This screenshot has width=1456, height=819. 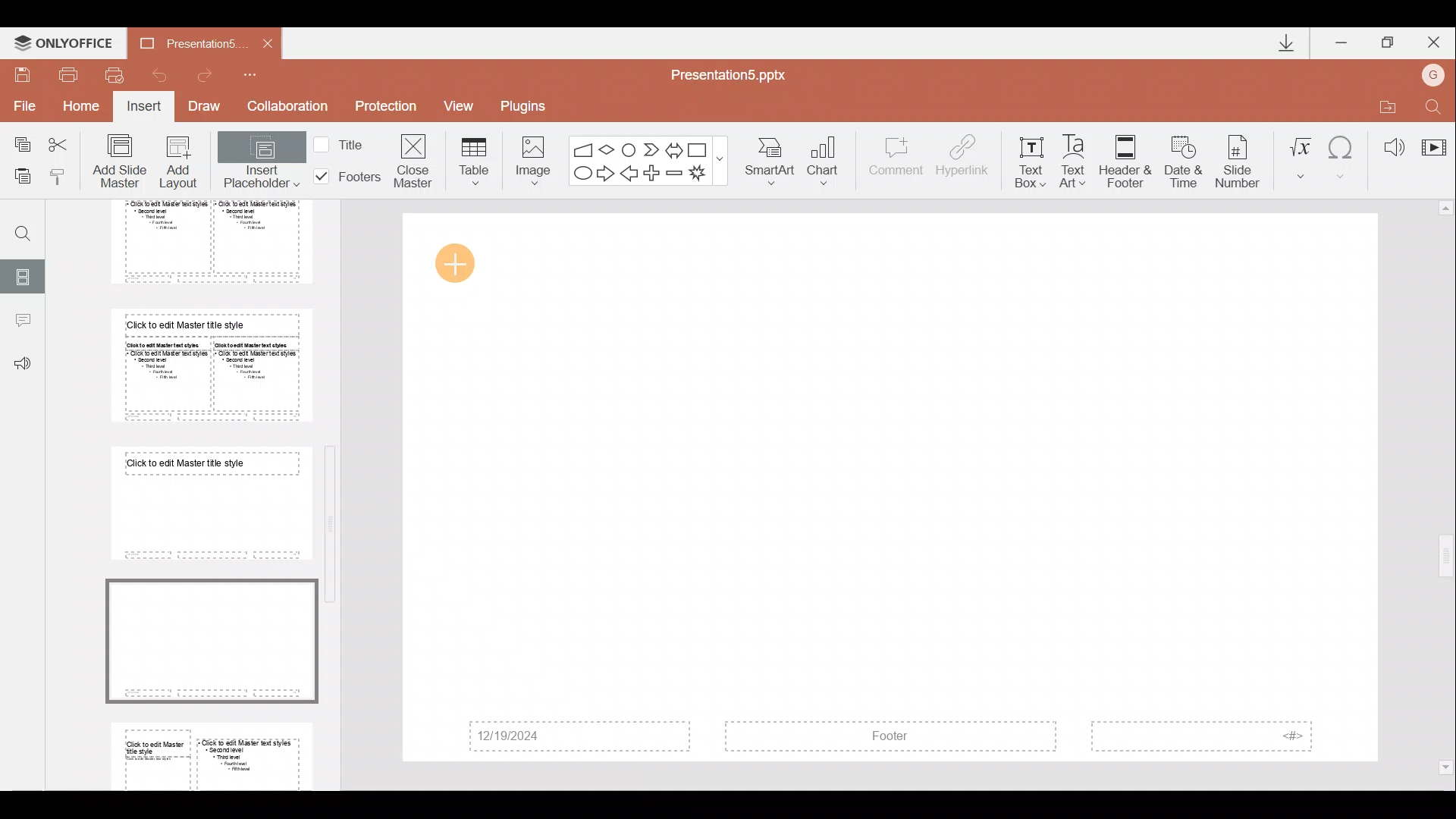 I want to click on Text box, so click(x=1030, y=158).